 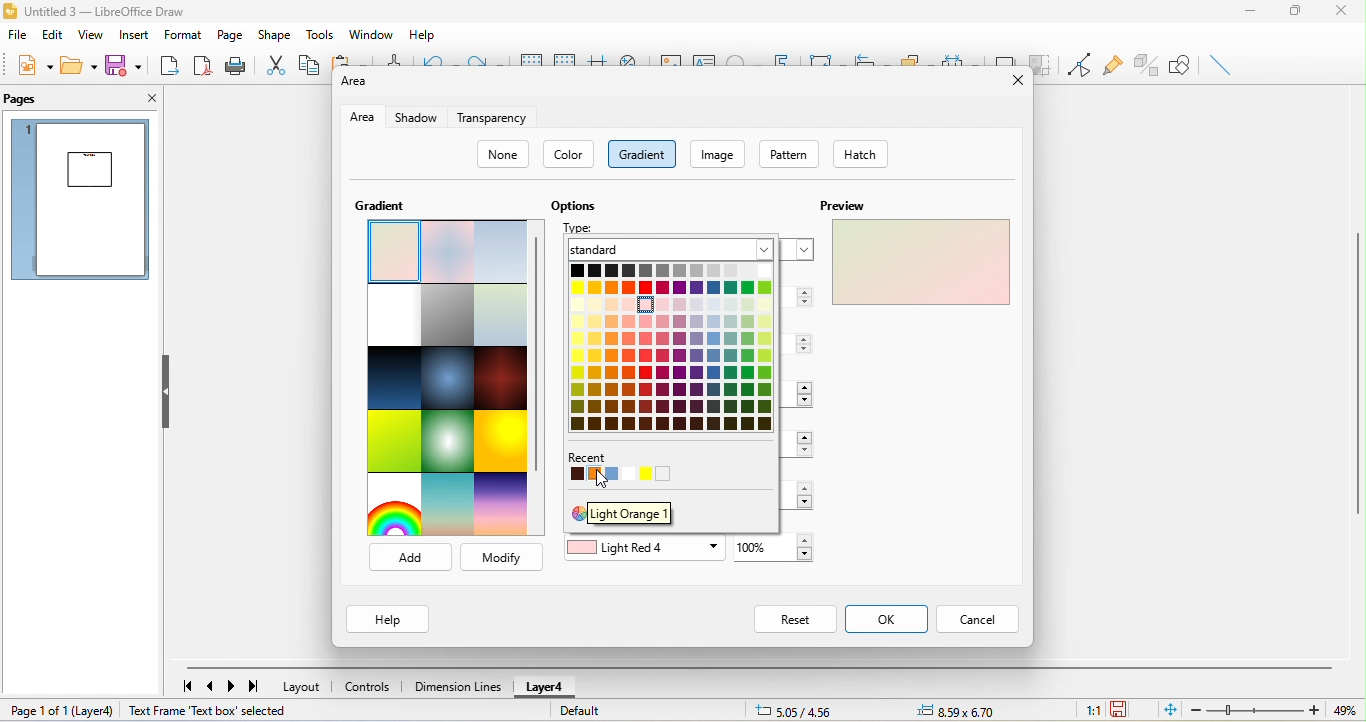 I want to click on gradient, so click(x=642, y=154).